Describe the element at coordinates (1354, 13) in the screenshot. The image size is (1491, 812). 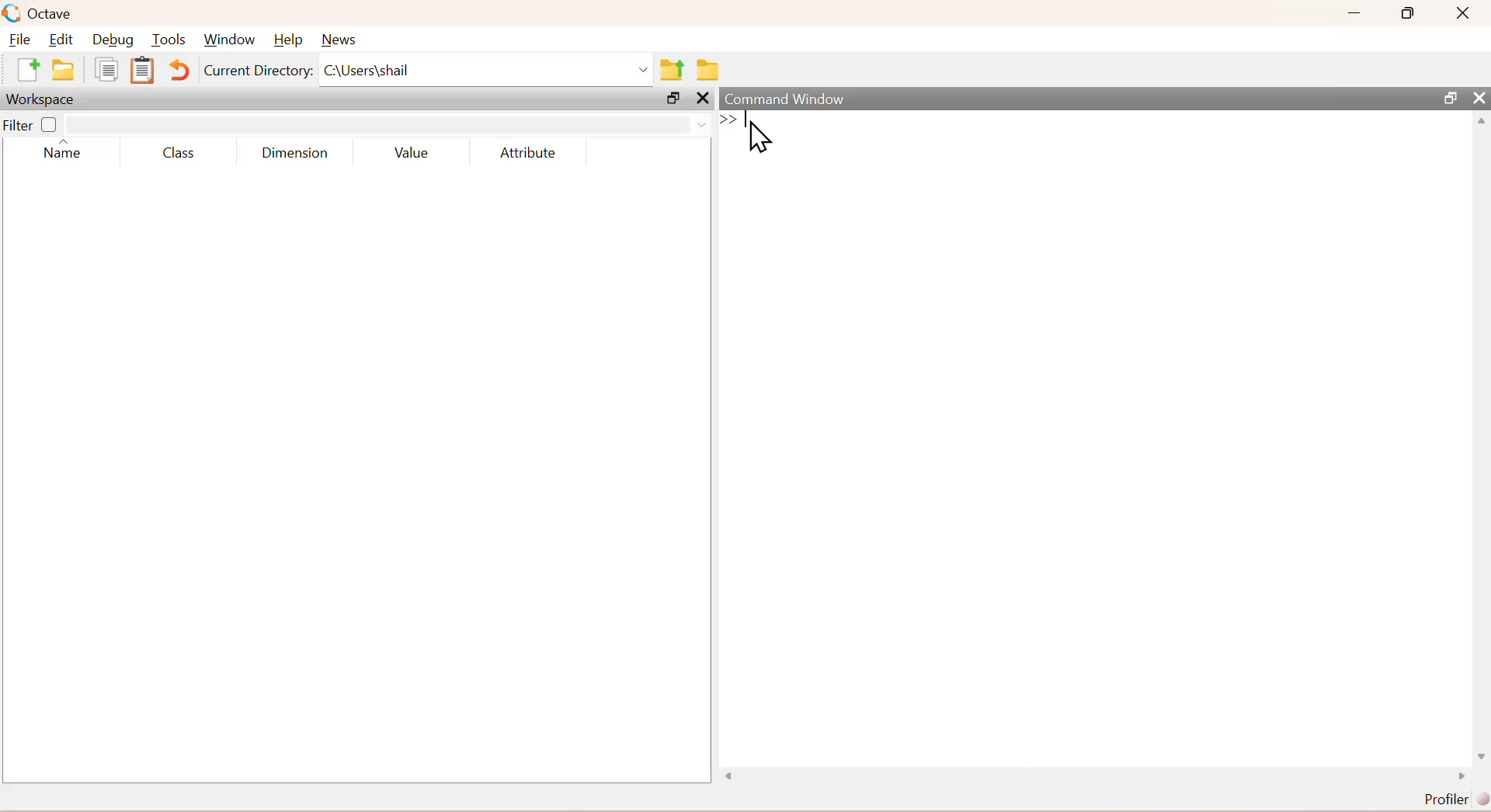
I see `Minimize` at that location.